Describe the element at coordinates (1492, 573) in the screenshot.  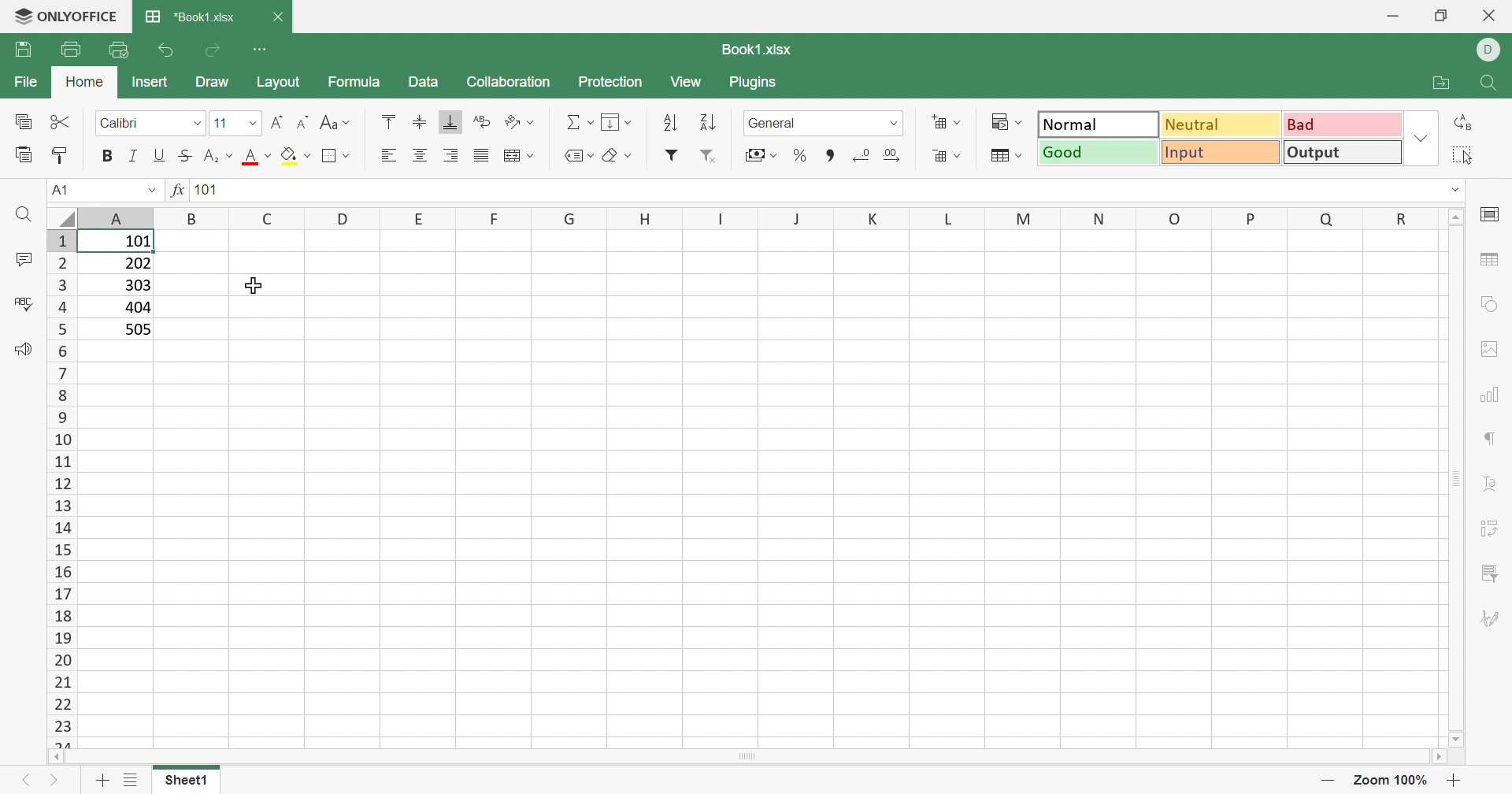
I see `slicer settings` at that location.